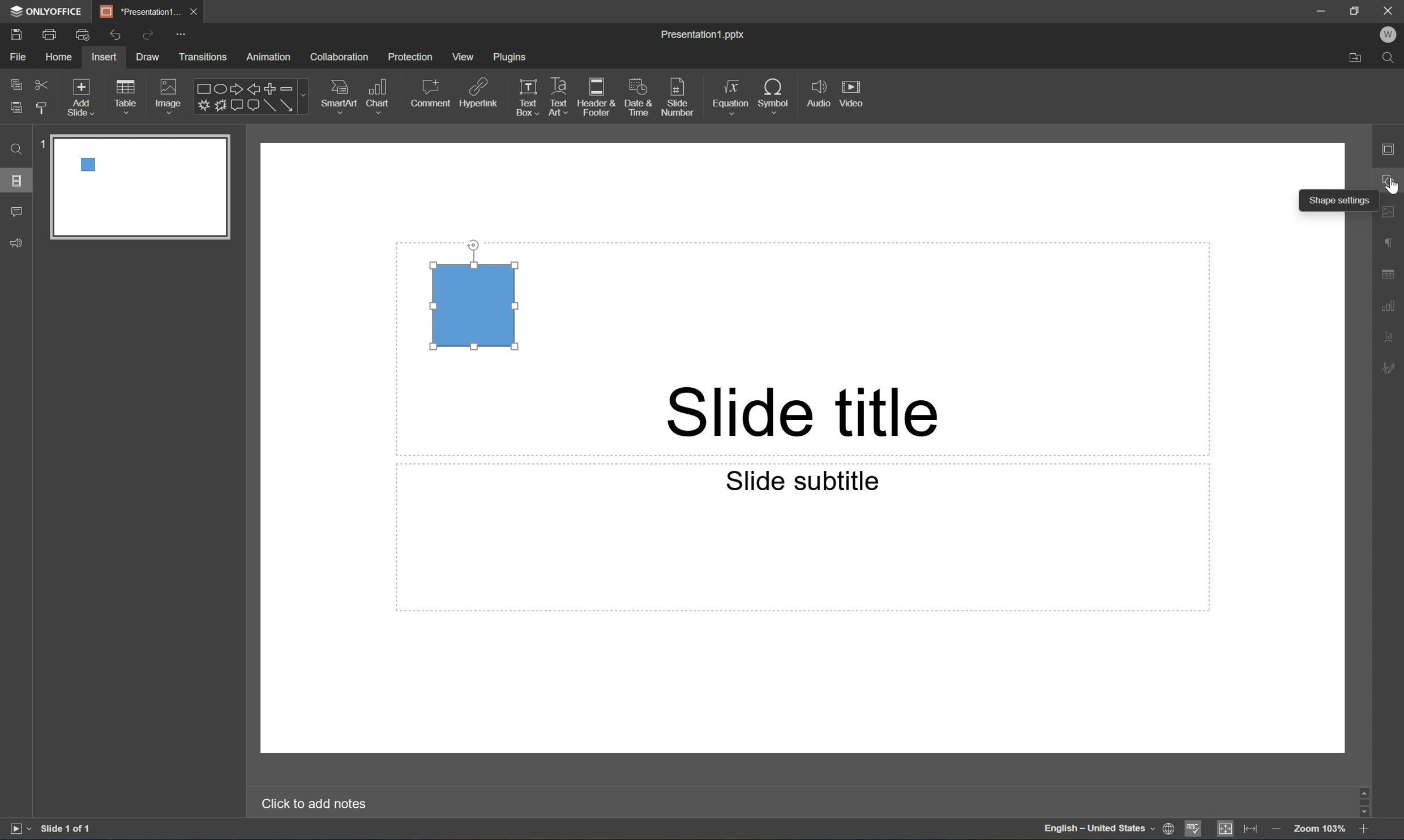  What do you see at coordinates (82, 34) in the screenshot?
I see `Quick Print` at bounding box center [82, 34].